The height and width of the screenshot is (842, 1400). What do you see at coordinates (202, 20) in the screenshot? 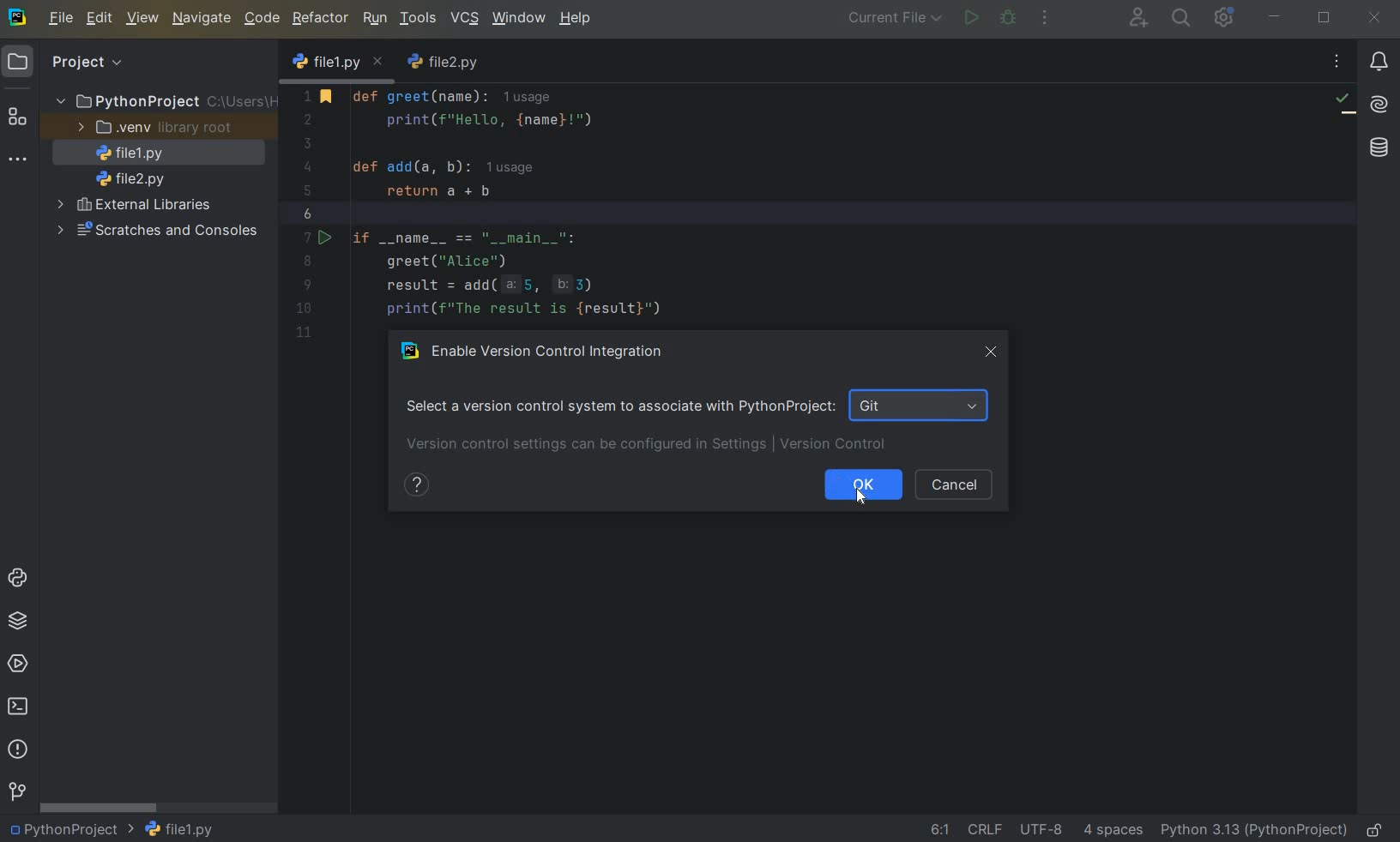
I see `navigate` at bounding box center [202, 20].